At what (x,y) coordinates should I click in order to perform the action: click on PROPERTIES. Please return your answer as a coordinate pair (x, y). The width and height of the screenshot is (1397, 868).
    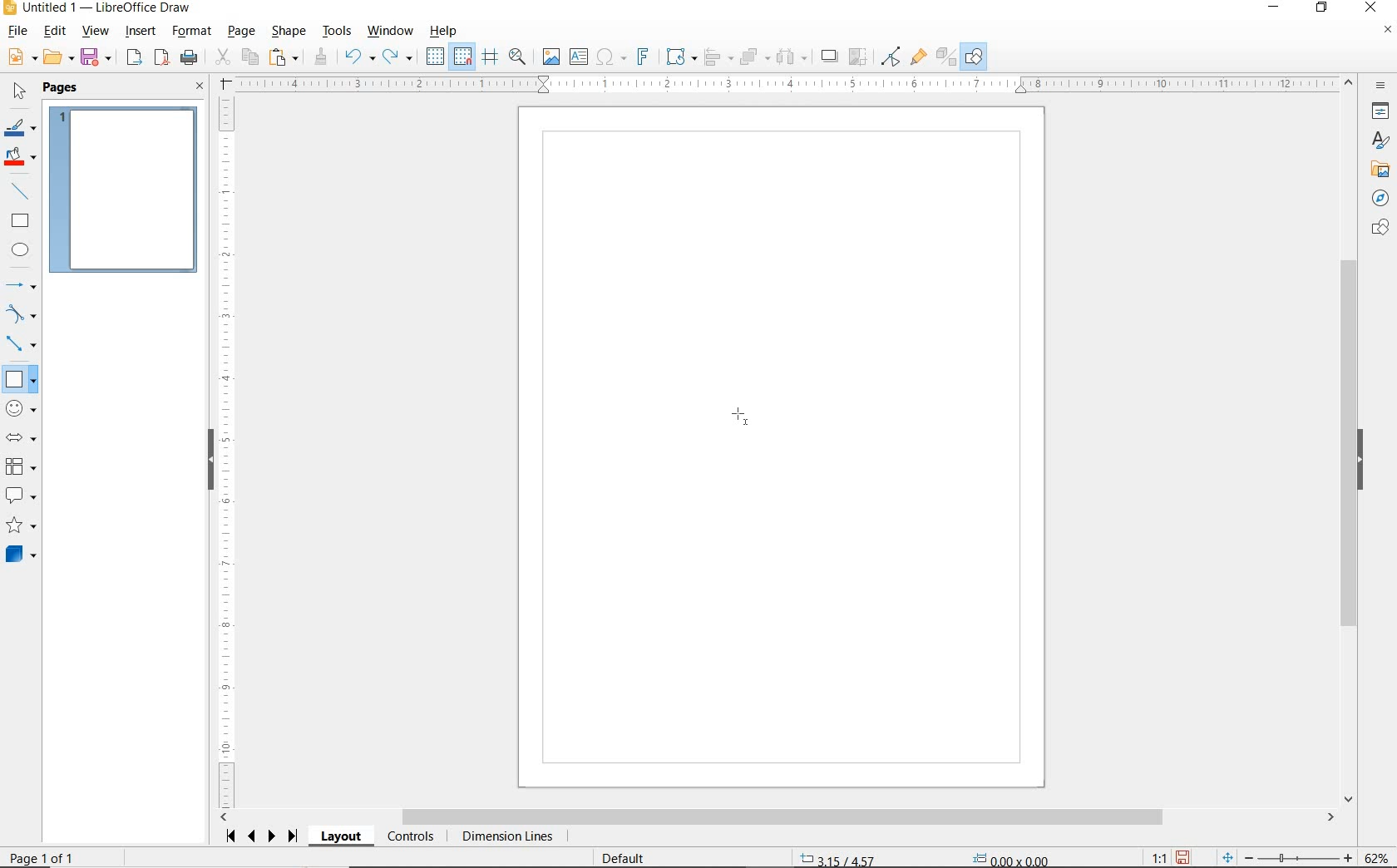
    Looking at the image, I should click on (1378, 113).